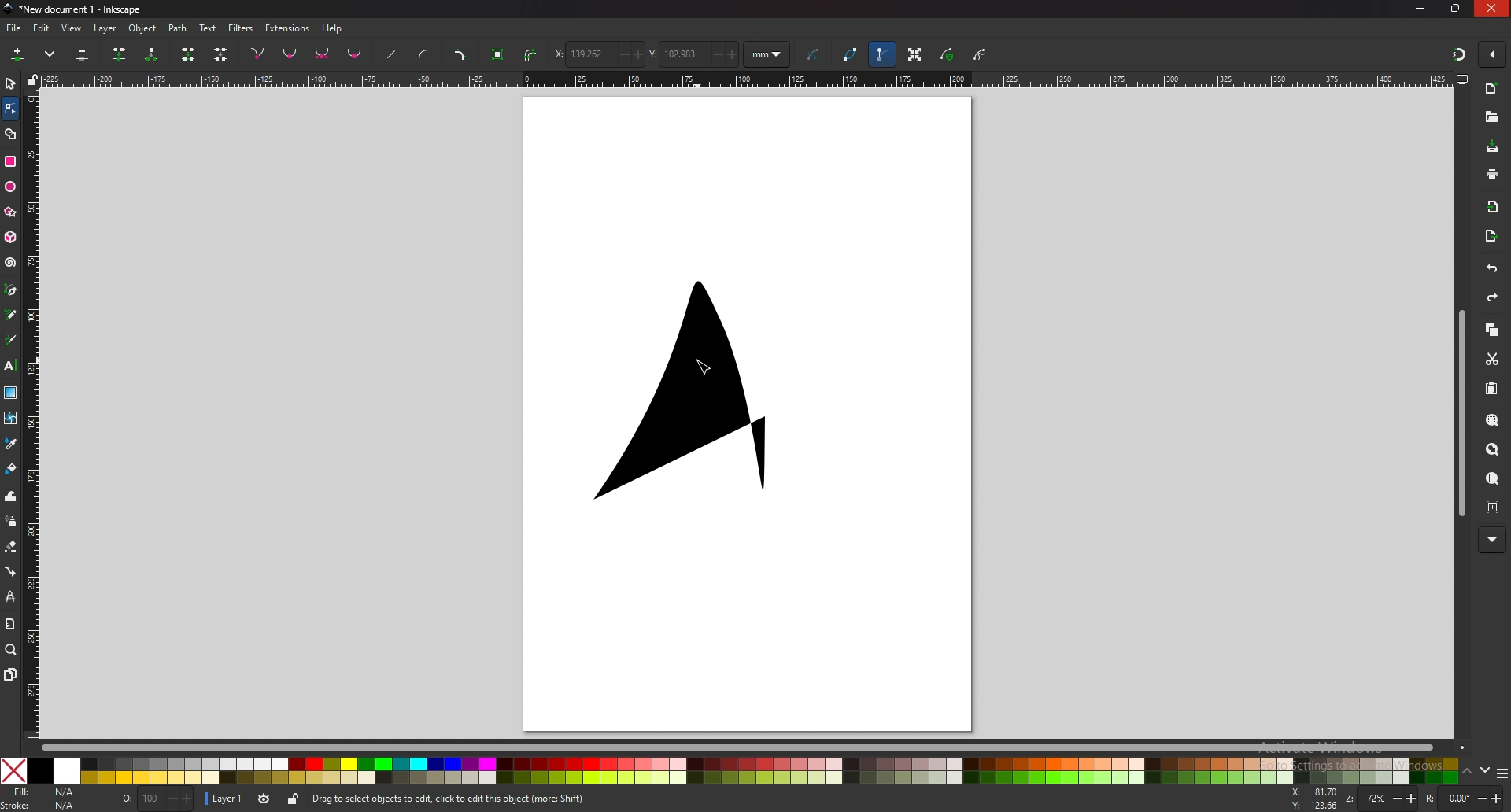 The width and height of the screenshot is (1511, 812). Describe the element at coordinates (10, 496) in the screenshot. I see `tweak` at that location.